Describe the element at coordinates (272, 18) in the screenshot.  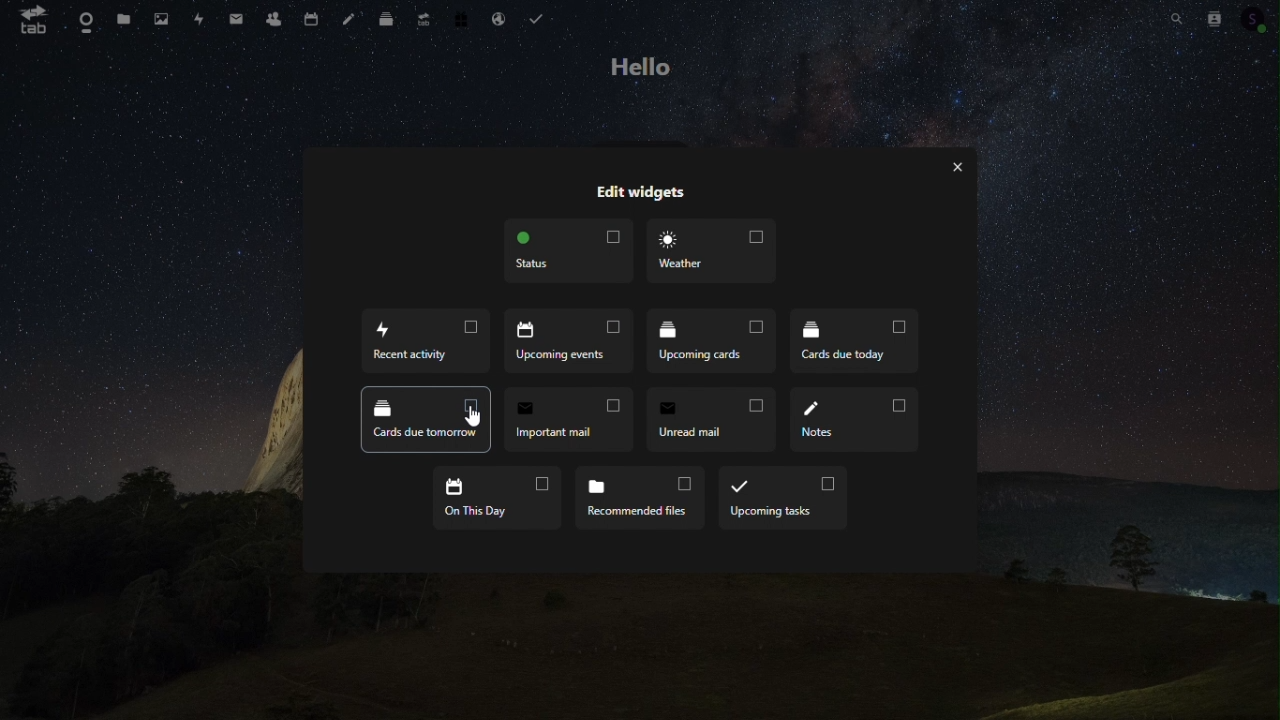
I see `Contacts` at that location.